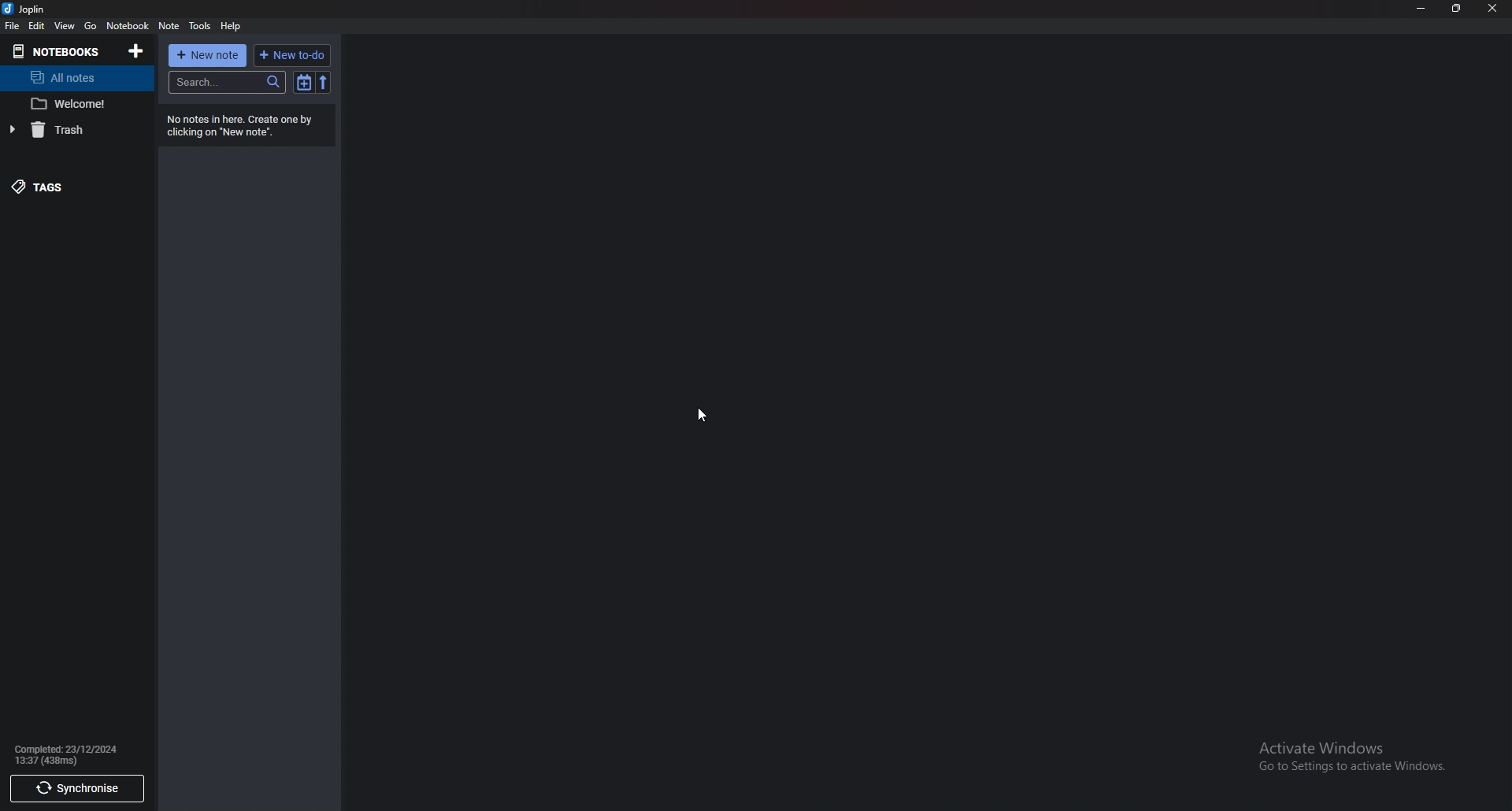  Describe the element at coordinates (231, 26) in the screenshot. I see `help` at that location.